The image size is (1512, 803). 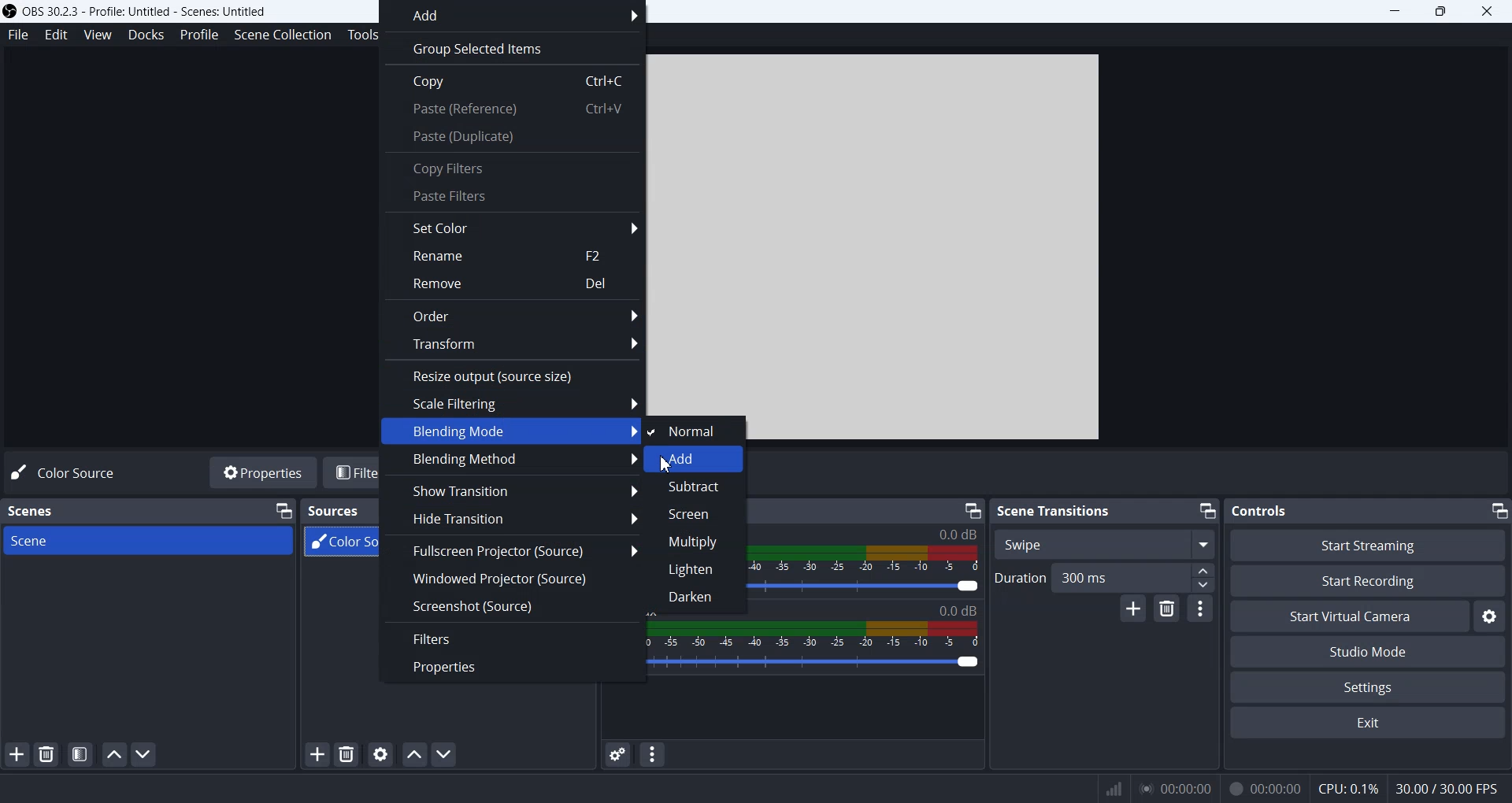 I want to click on Darken, so click(x=702, y=598).